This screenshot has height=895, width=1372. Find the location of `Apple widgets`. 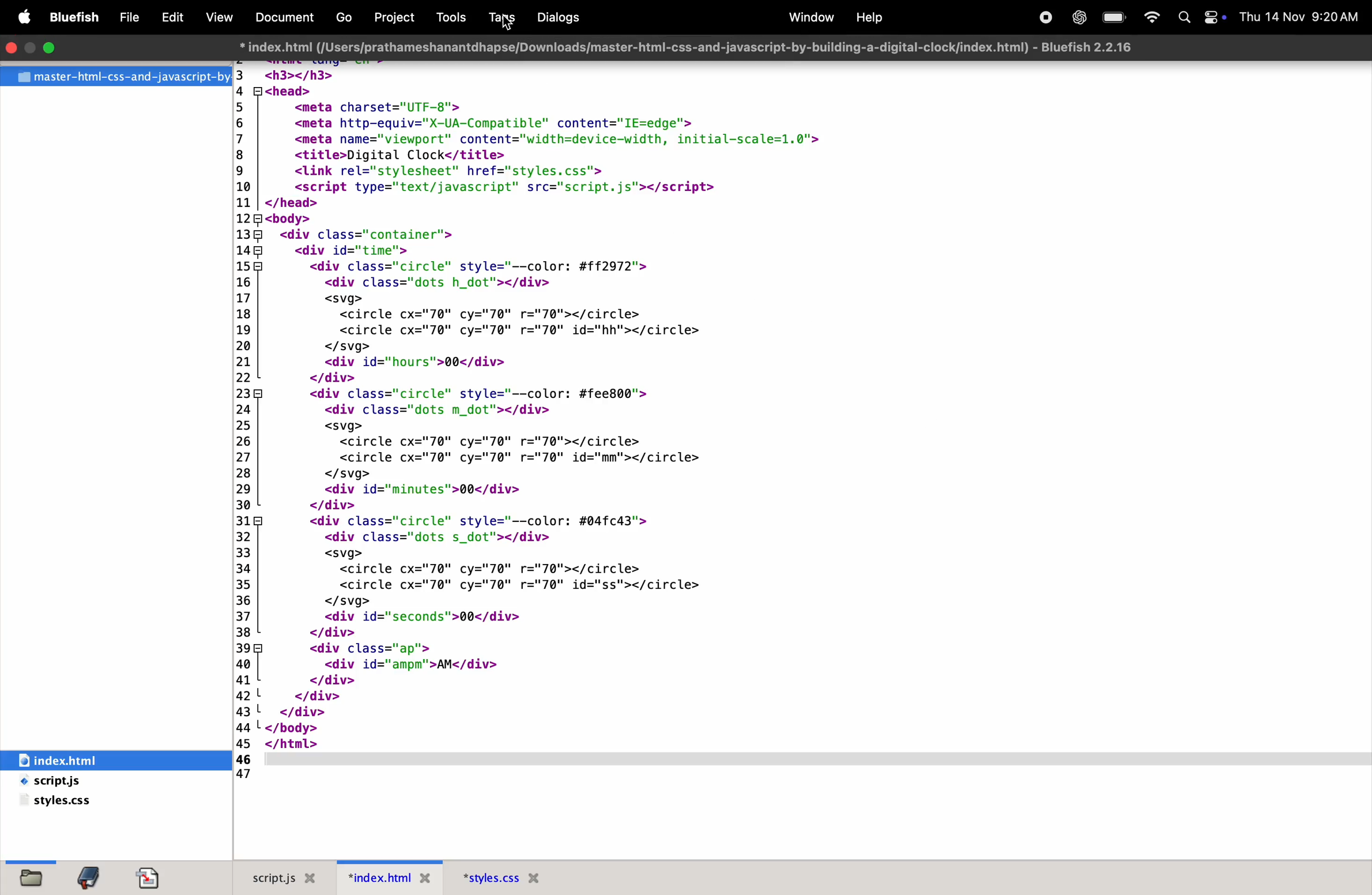

Apple widgets is located at coordinates (1198, 18).